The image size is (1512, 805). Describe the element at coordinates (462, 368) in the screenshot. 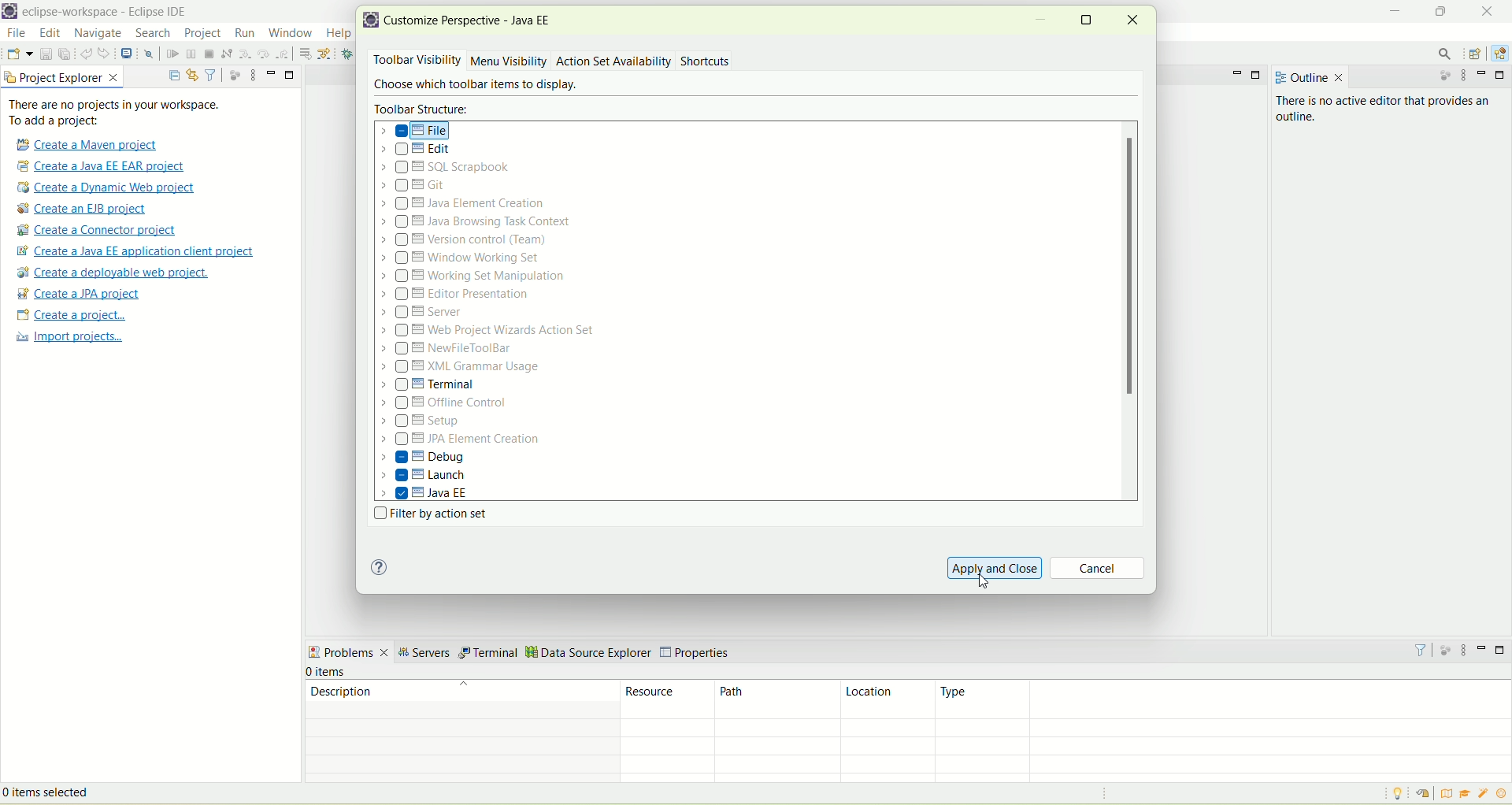

I see `XML grammar uasage` at that location.